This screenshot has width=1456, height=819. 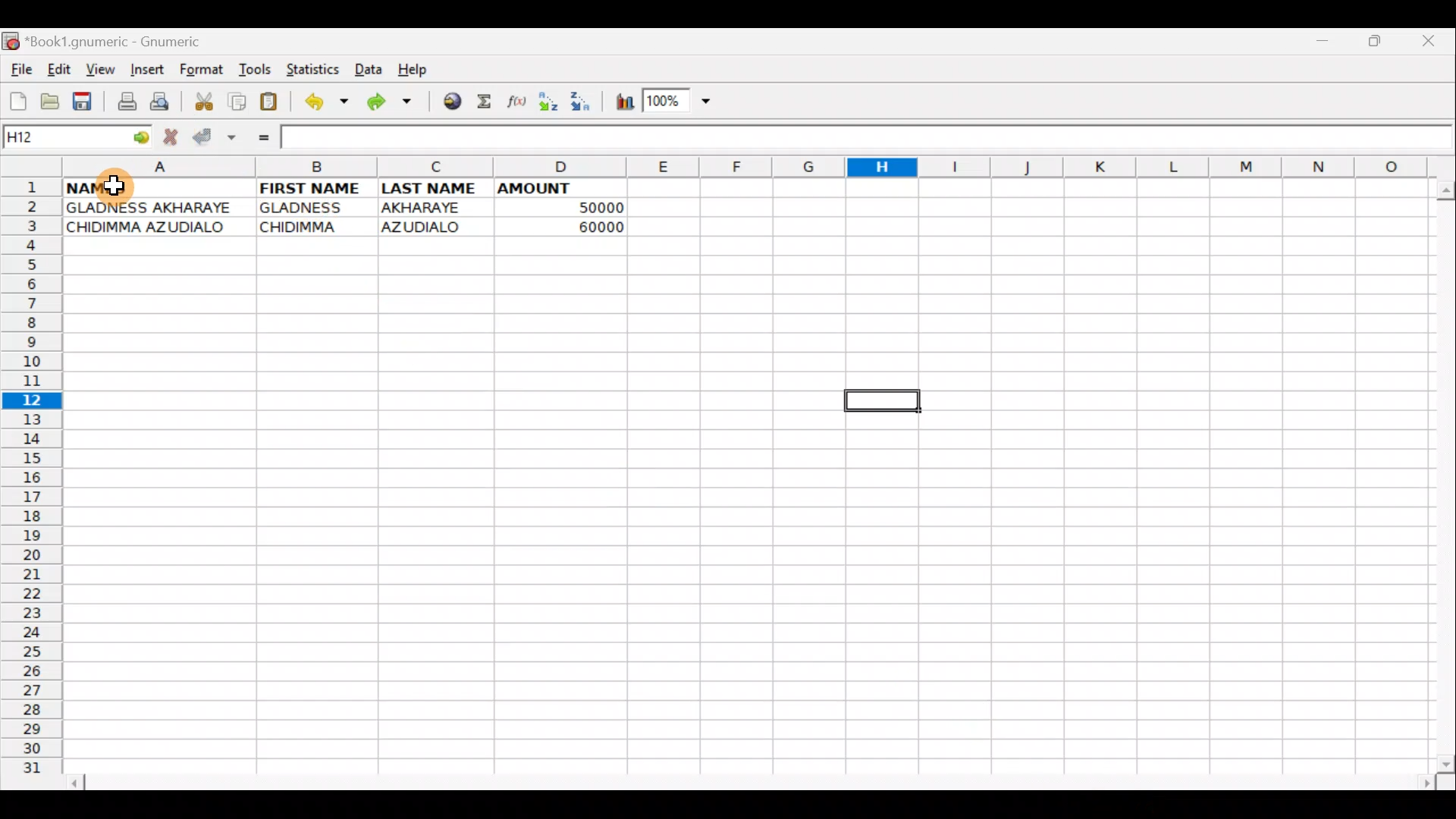 What do you see at coordinates (21, 71) in the screenshot?
I see `File` at bounding box center [21, 71].